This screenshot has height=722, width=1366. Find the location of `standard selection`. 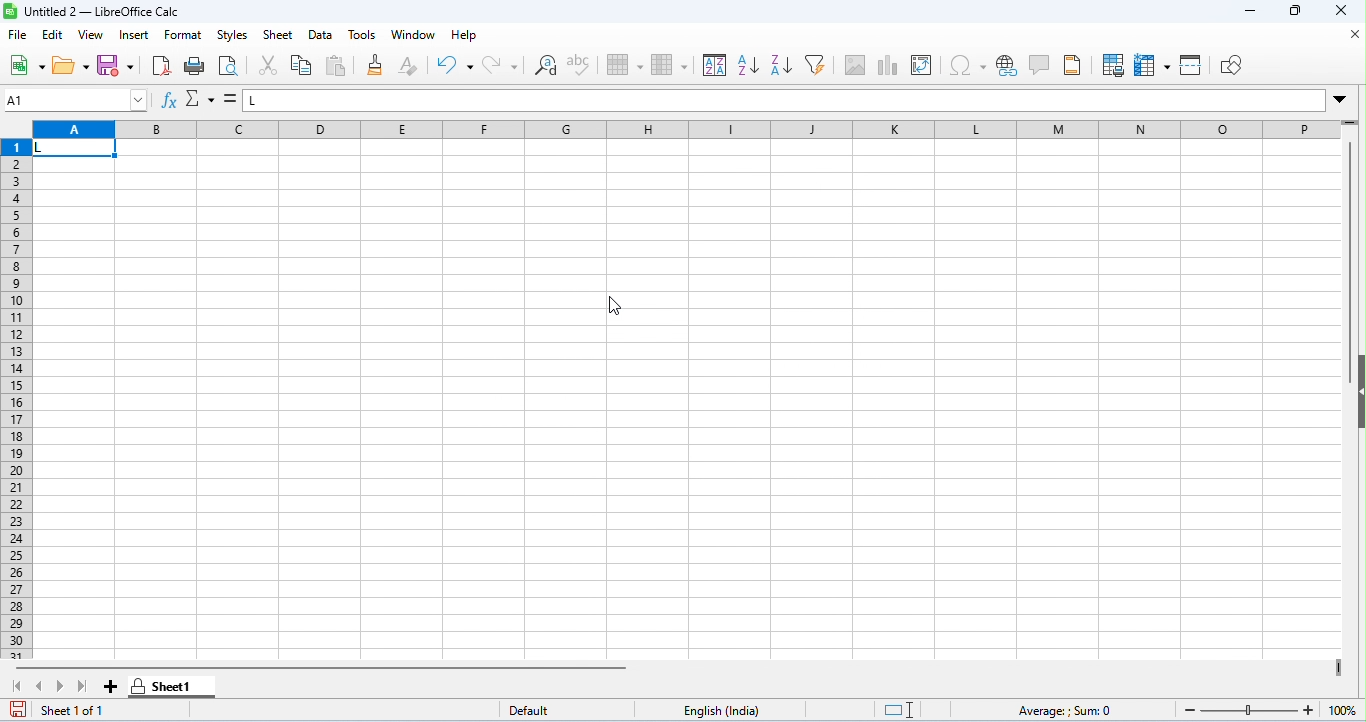

standard selection is located at coordinates (901, 710).